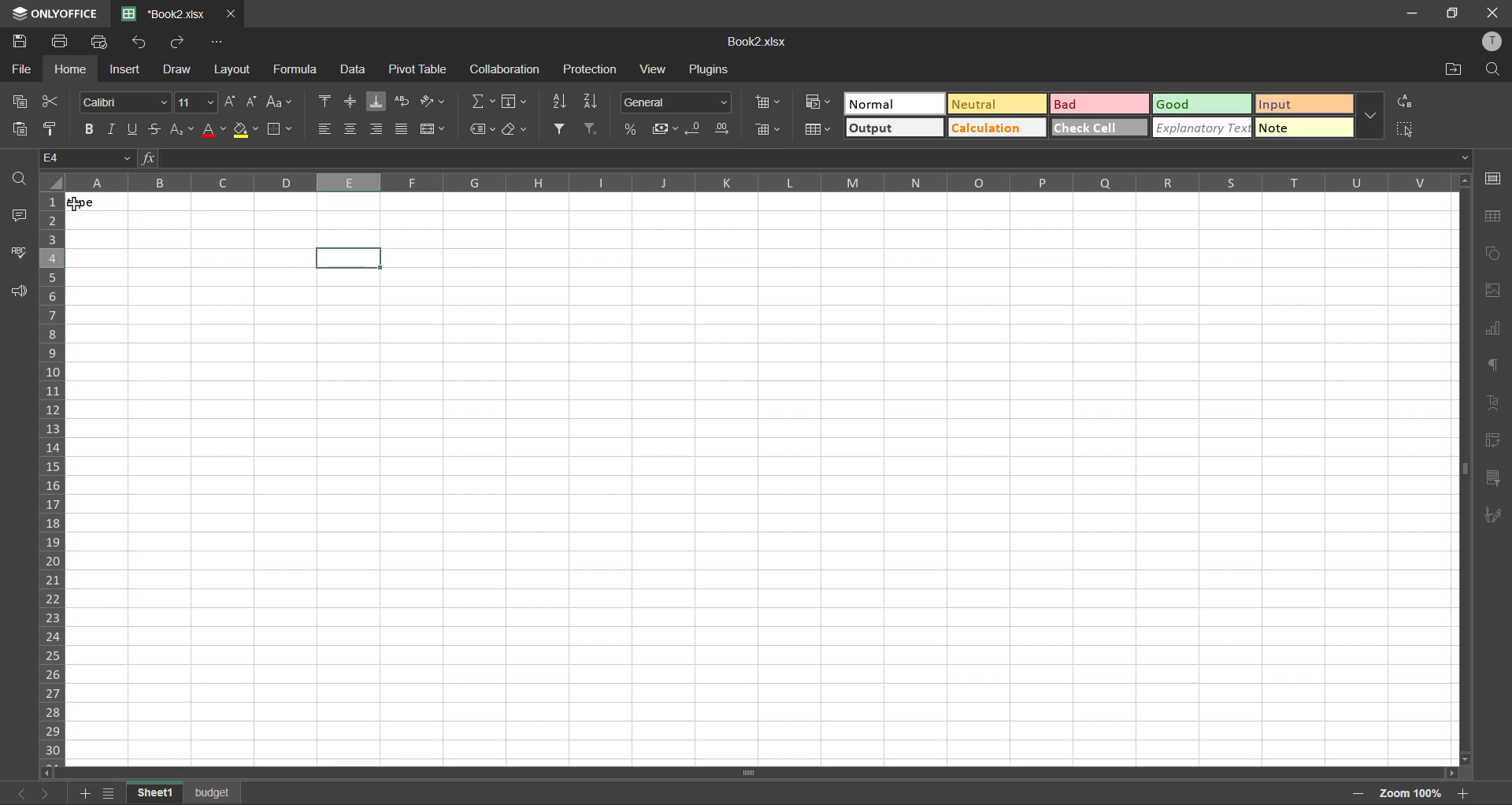 This screenshot has width=1512, height=805. Describe the element at coordinates (1405, 129) in the screenshot. I see `select all` at that location.